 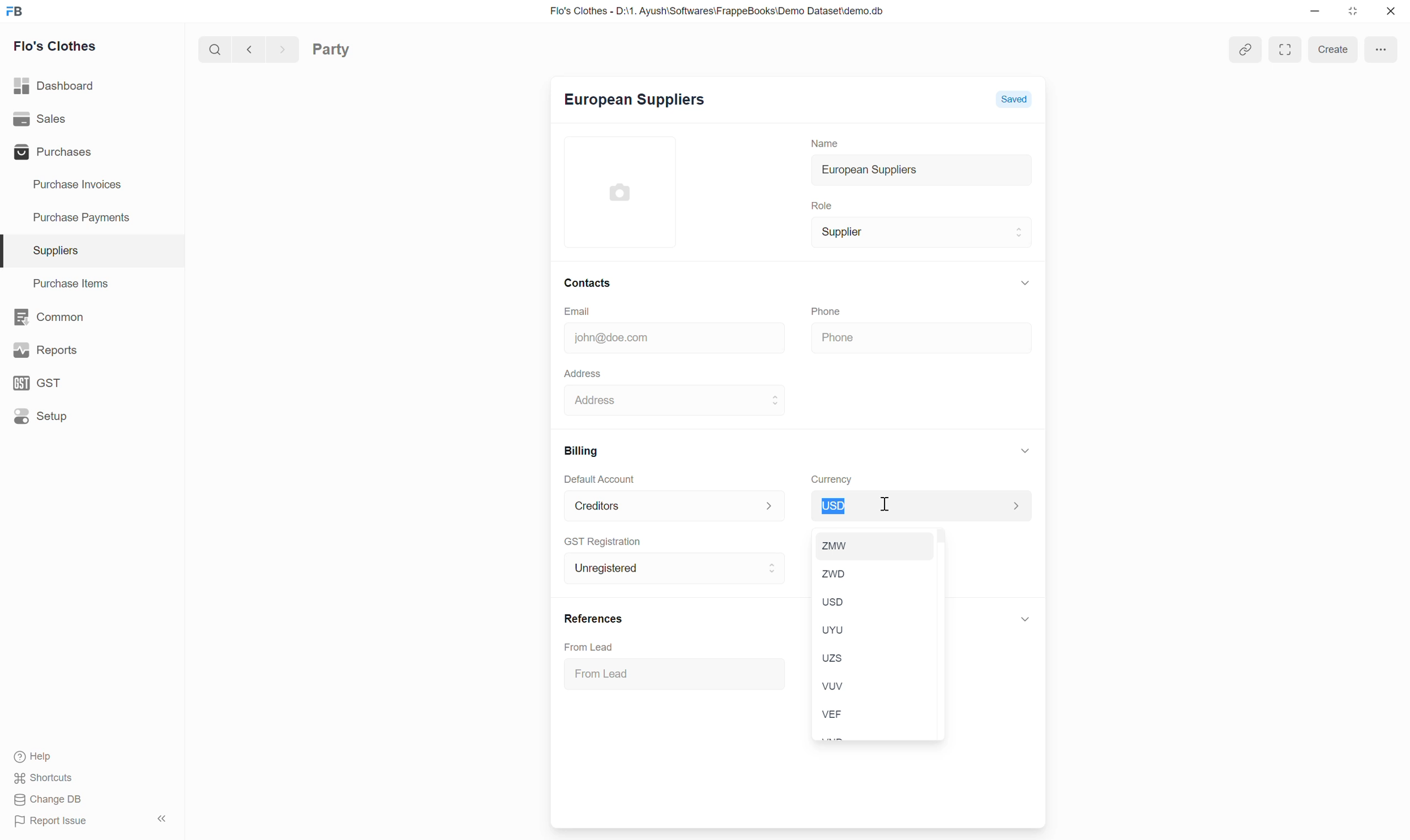 I want to click on Phone, so click(x=839, y=309).